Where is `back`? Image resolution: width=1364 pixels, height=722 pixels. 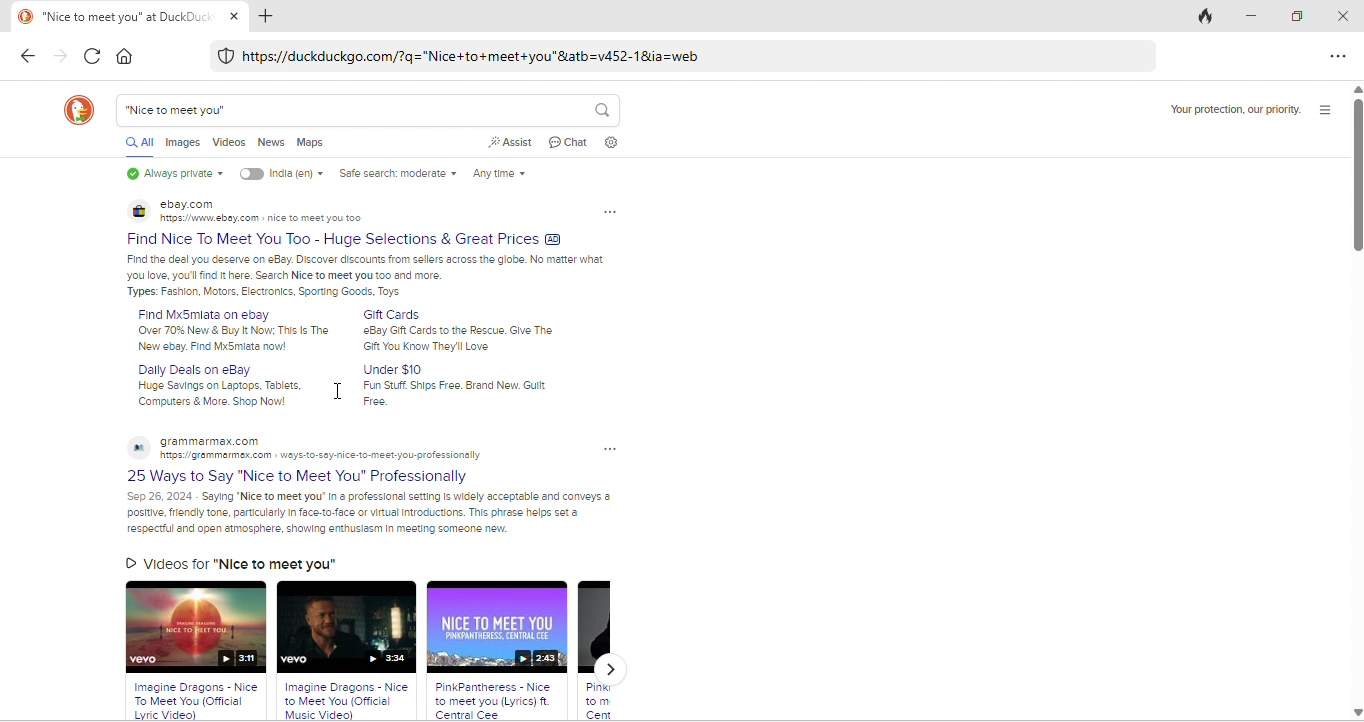
back is located at coordinates (29, 56).